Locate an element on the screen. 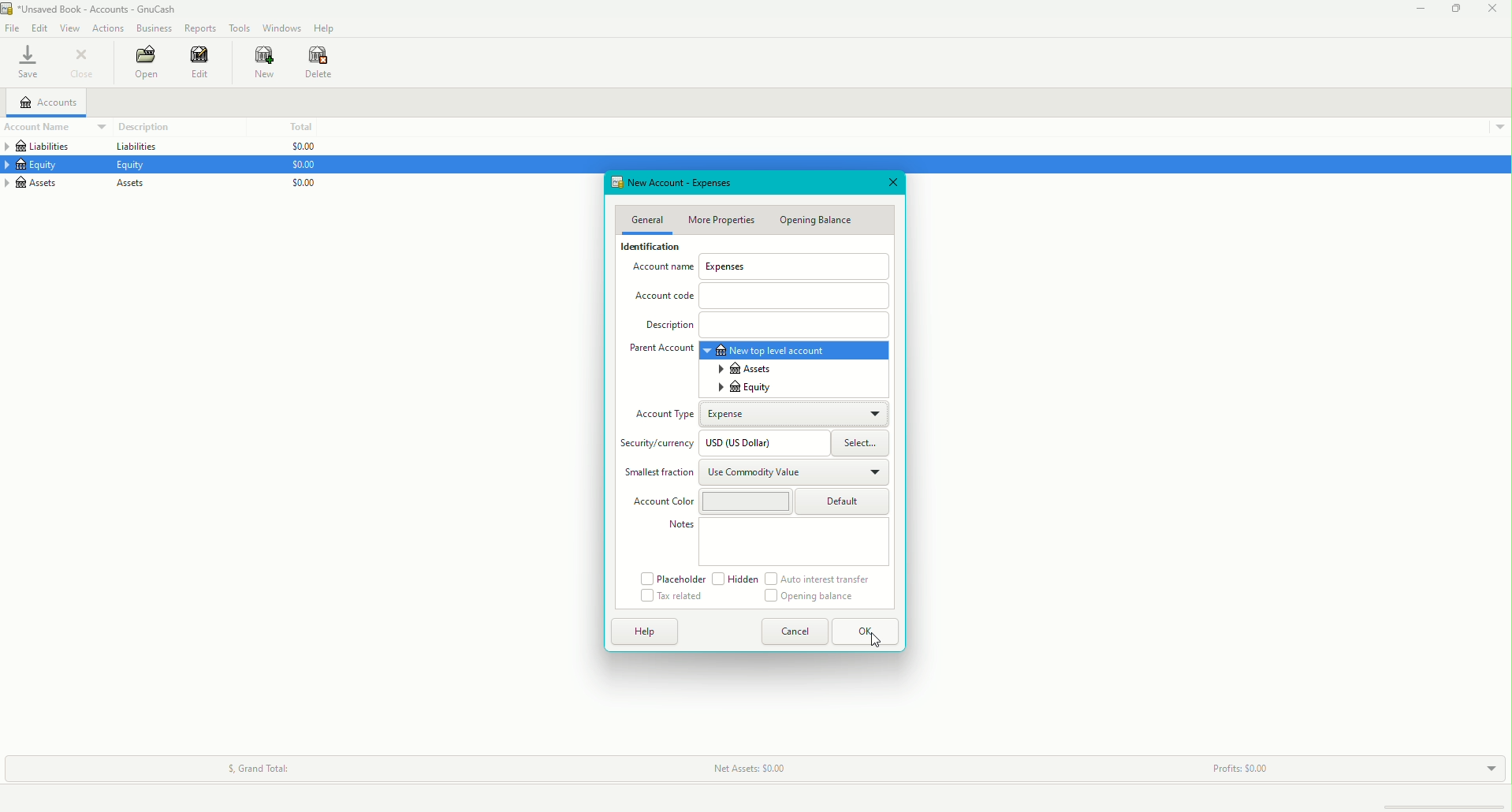 The width and height of the screenshot is (1512, 812). Liabilities is located at coordinates (46, 147).